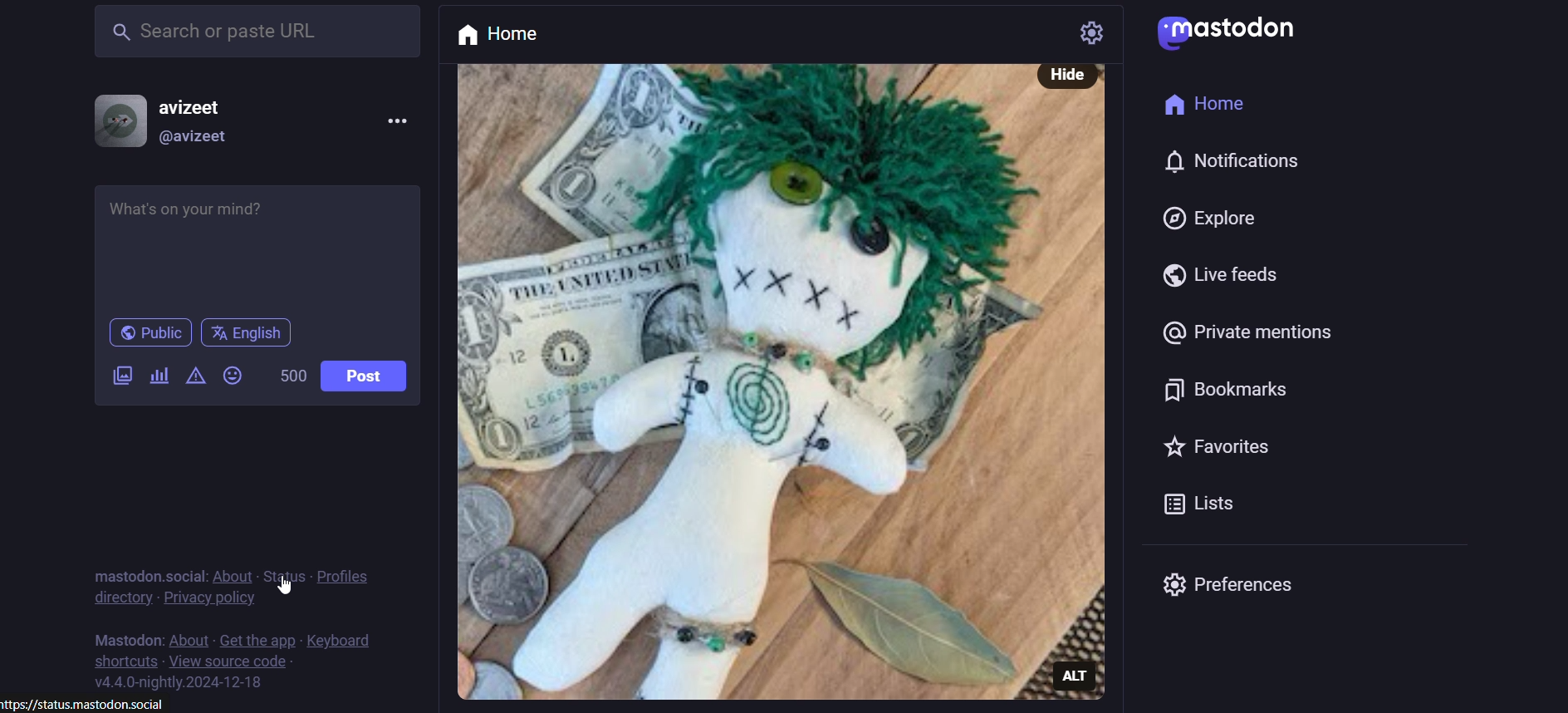 The image size is (1568, 713). Describe the element at coordinates (500, 34) in the screenshot. I see `home` at that location.